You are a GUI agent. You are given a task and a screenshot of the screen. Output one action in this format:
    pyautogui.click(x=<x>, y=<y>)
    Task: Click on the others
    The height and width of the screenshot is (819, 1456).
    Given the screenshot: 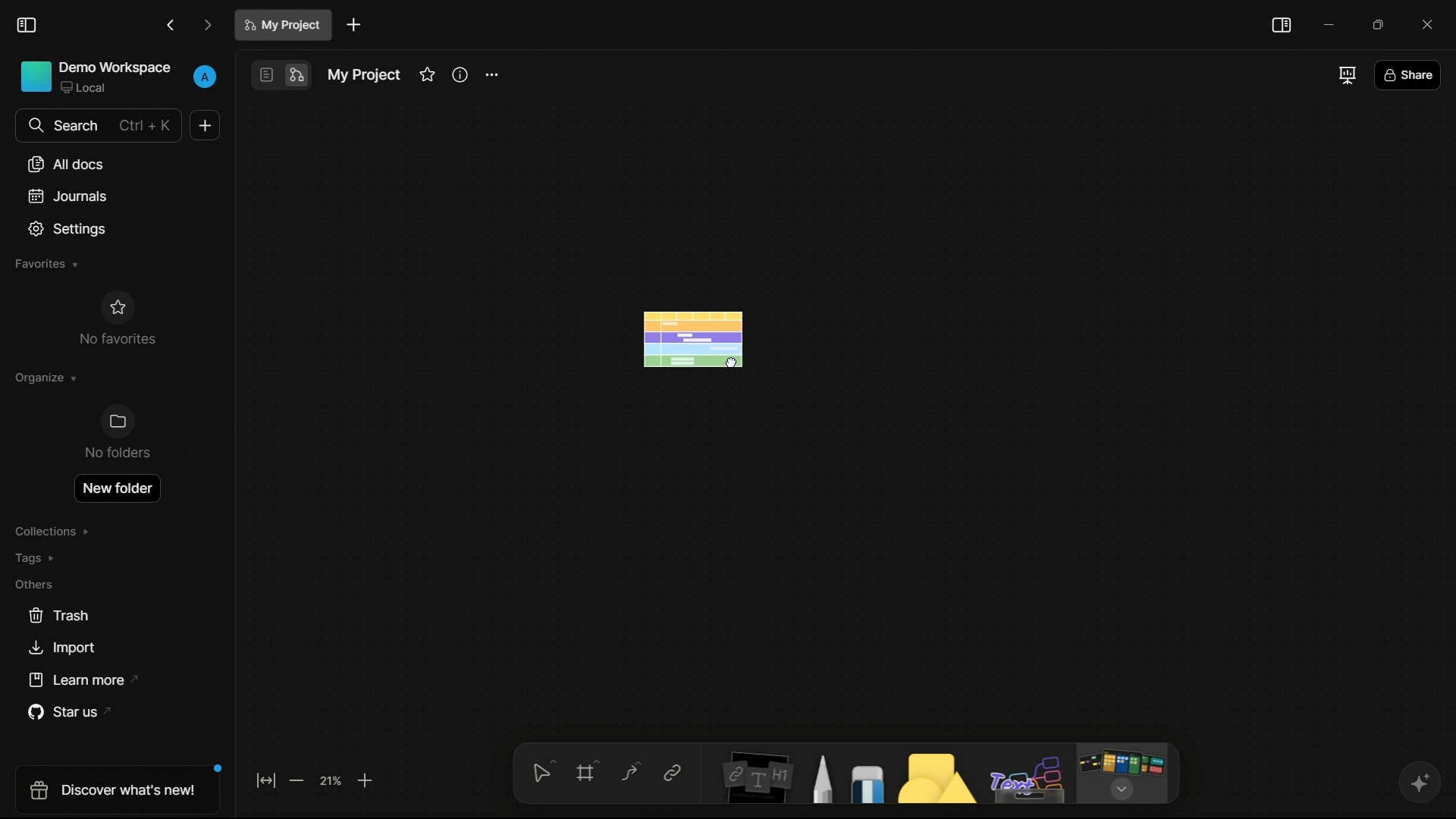 What is the action you would take?
    pyautogui.click(x=35, y=584)
    